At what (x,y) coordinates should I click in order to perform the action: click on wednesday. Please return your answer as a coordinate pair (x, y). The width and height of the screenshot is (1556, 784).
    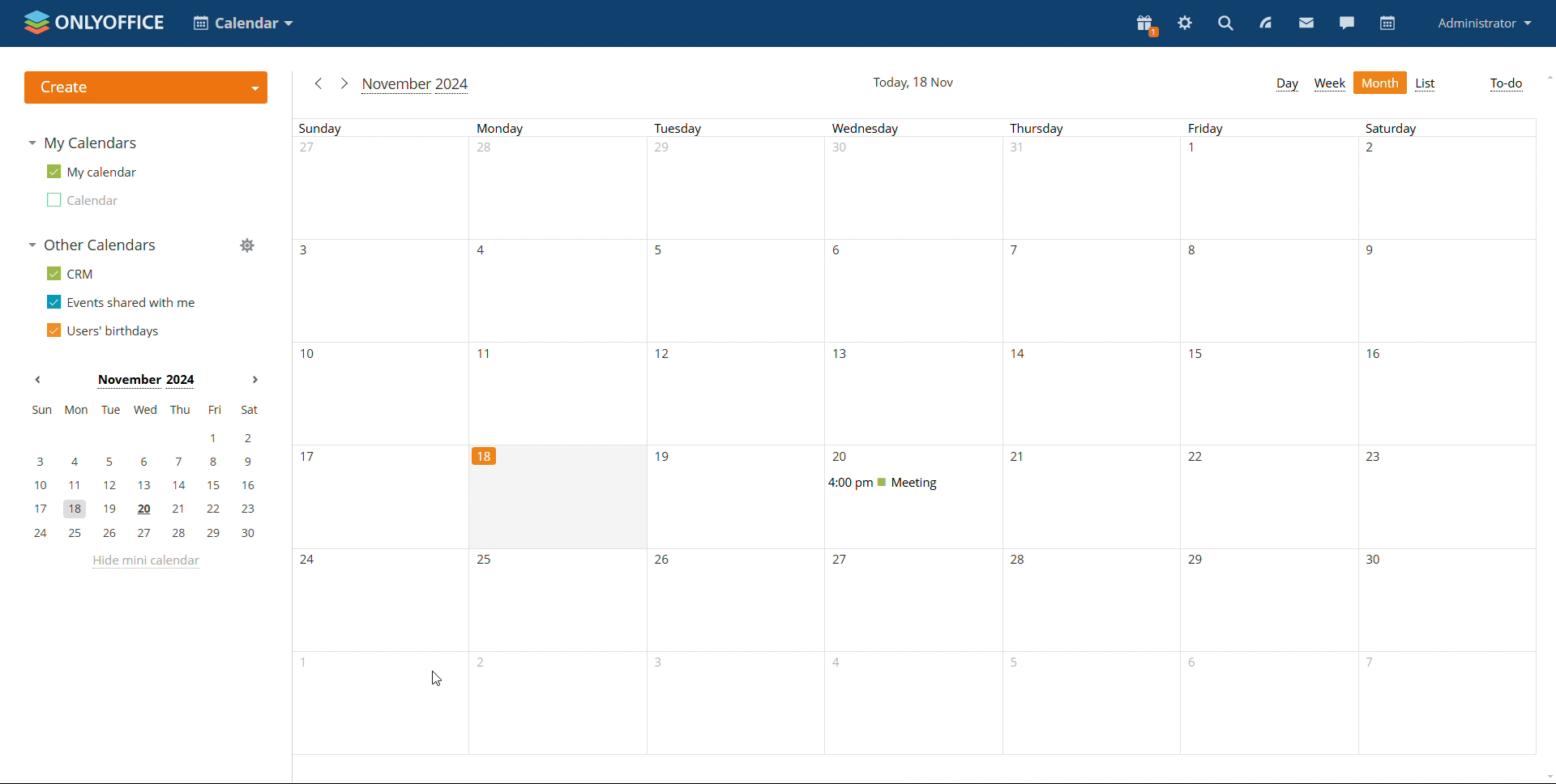
    Looking at the image, I should click on (913, 651).